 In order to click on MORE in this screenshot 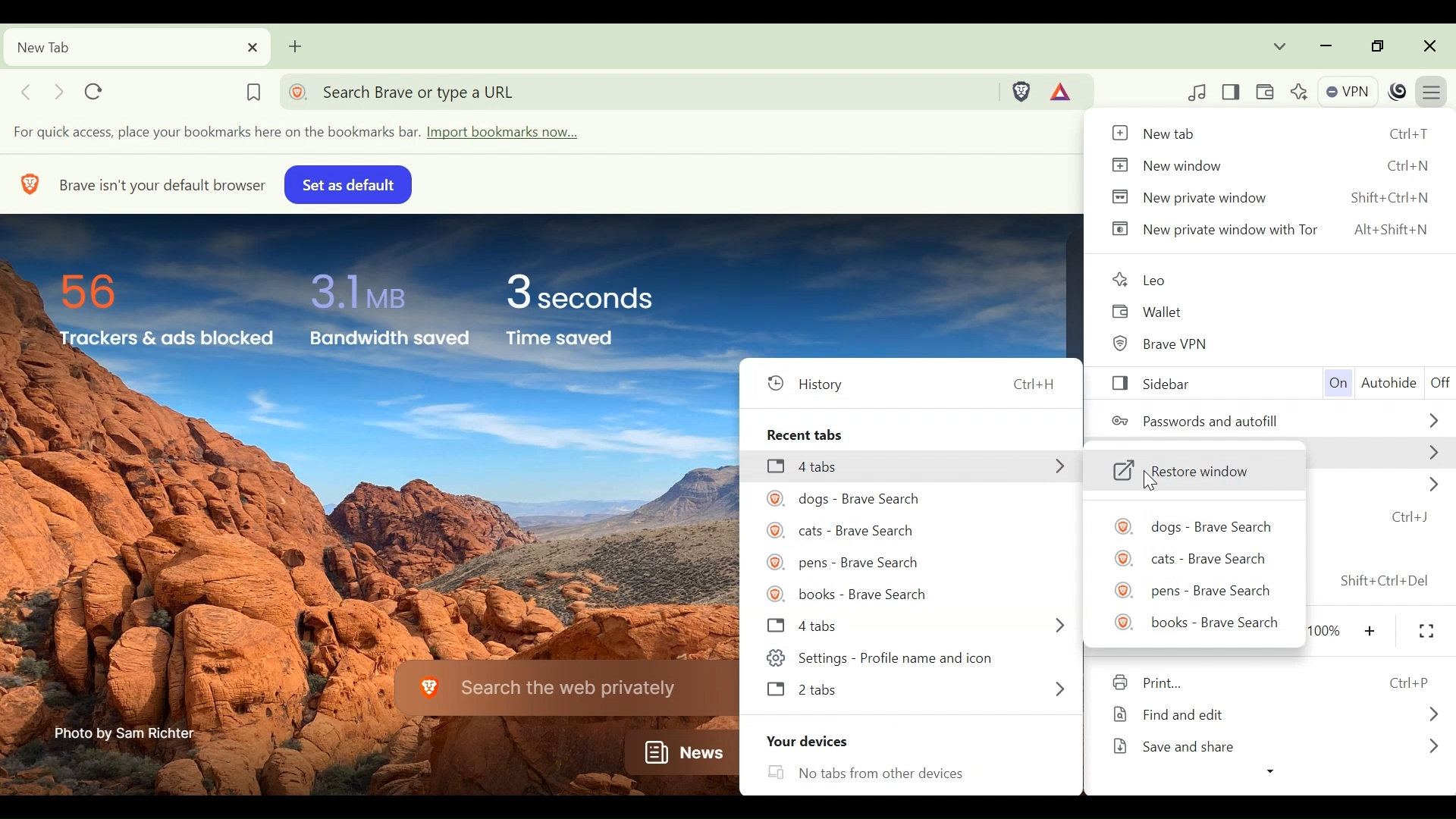, I will do `click(1428, 416)`.